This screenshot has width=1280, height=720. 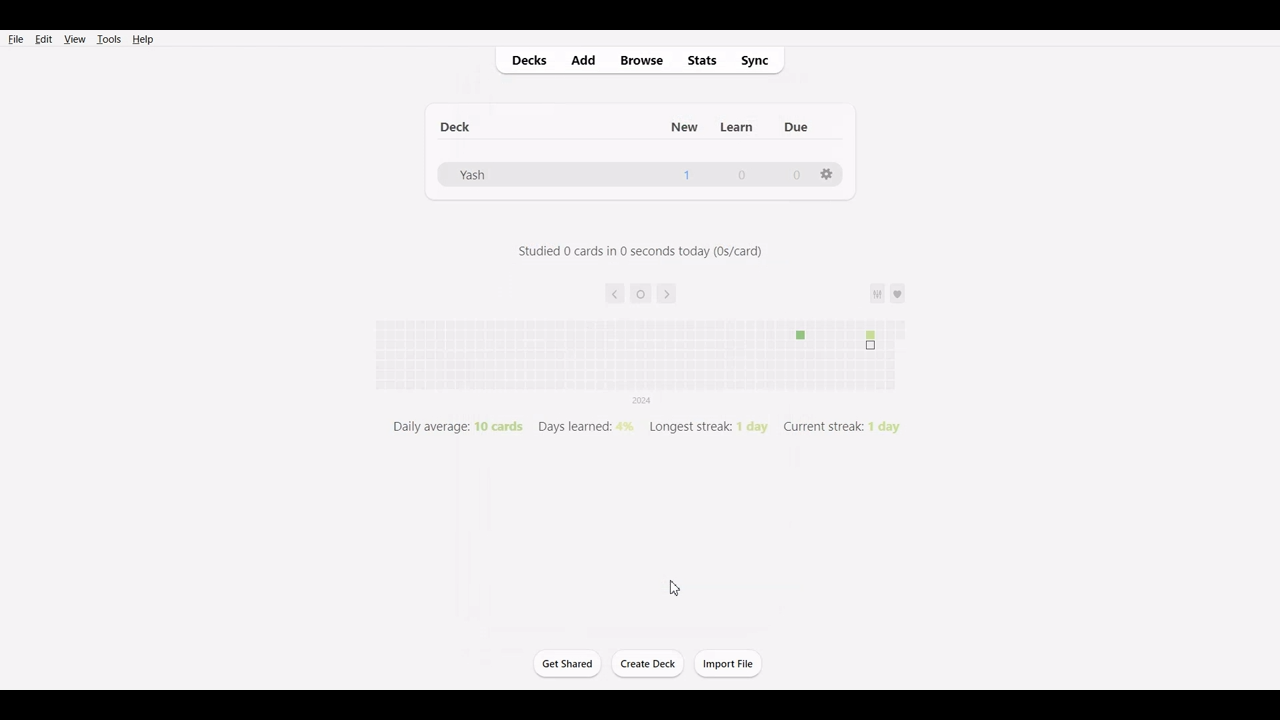 What do you see at coordinates (587, 59) in the screenshot?
I see `Add` at bounding box center [587, 59].